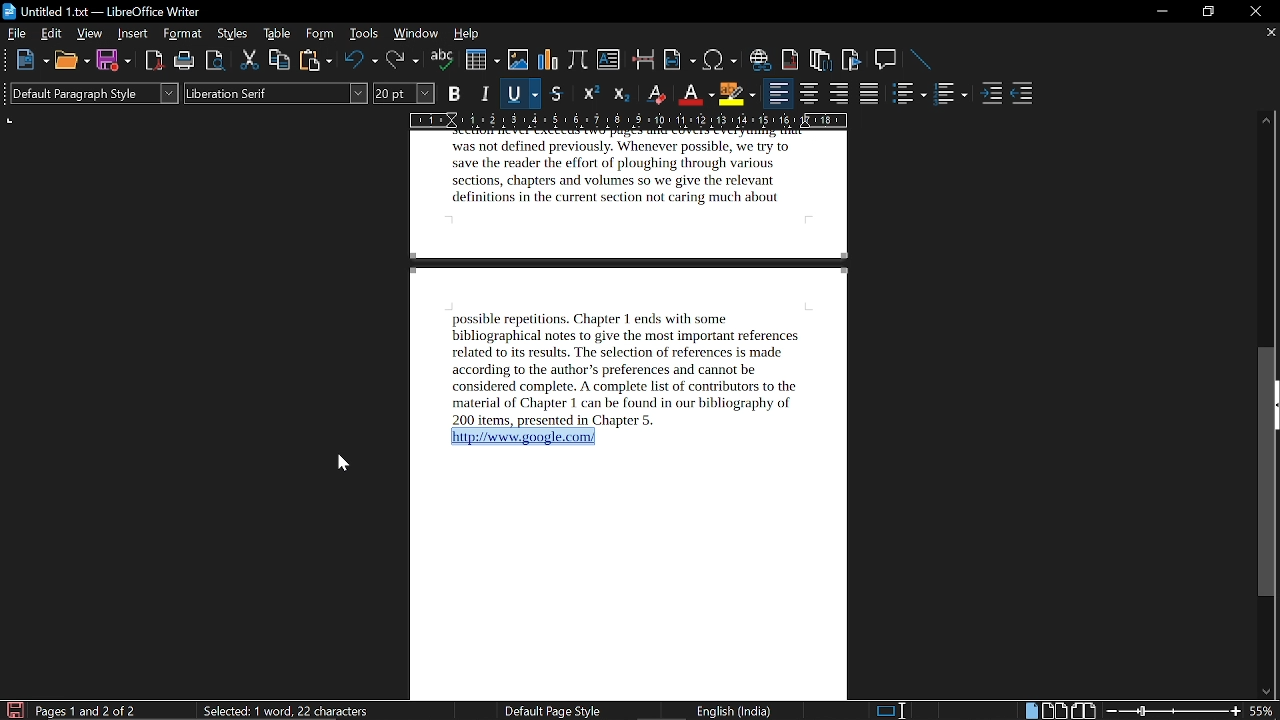 Image resolution: width=1280 pixels, height=720 pixels. I want to click on insert bibliography, so click(849, 60).